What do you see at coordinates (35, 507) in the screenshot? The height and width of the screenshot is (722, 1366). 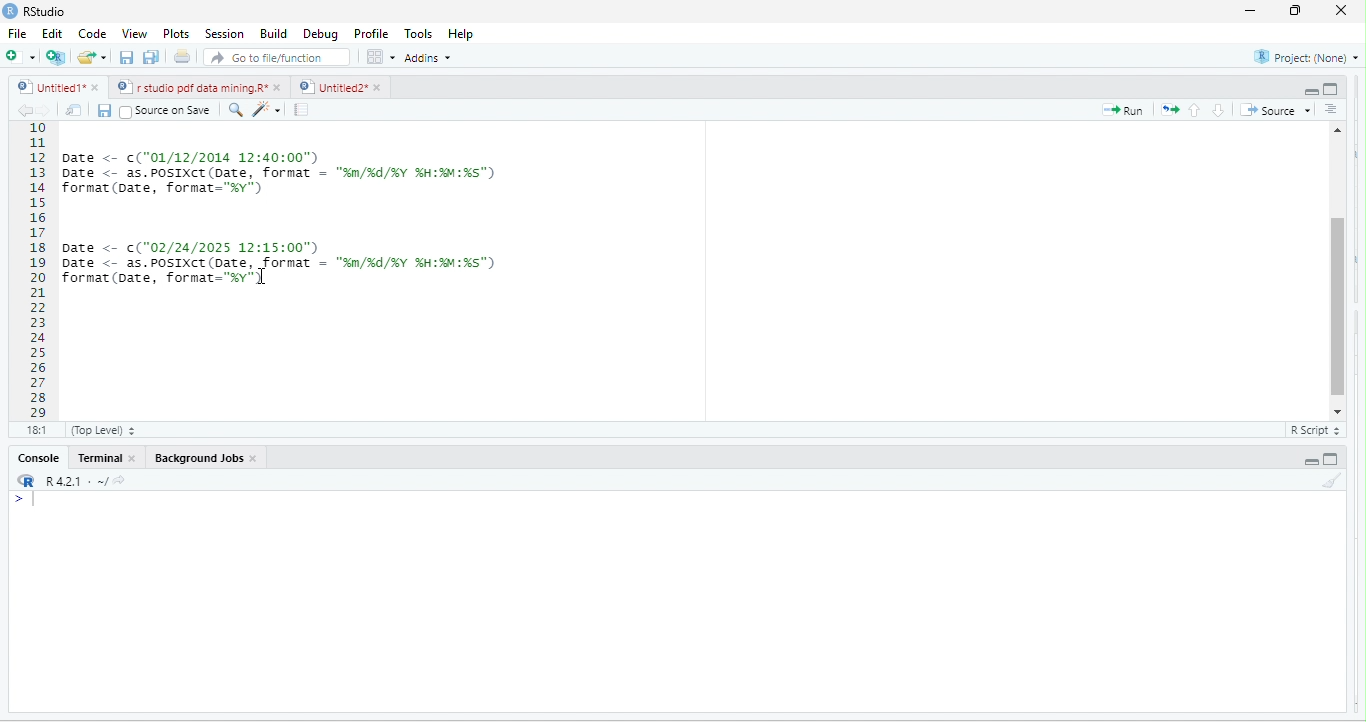 I see `typing cursor` at bounding box center [35, 507].